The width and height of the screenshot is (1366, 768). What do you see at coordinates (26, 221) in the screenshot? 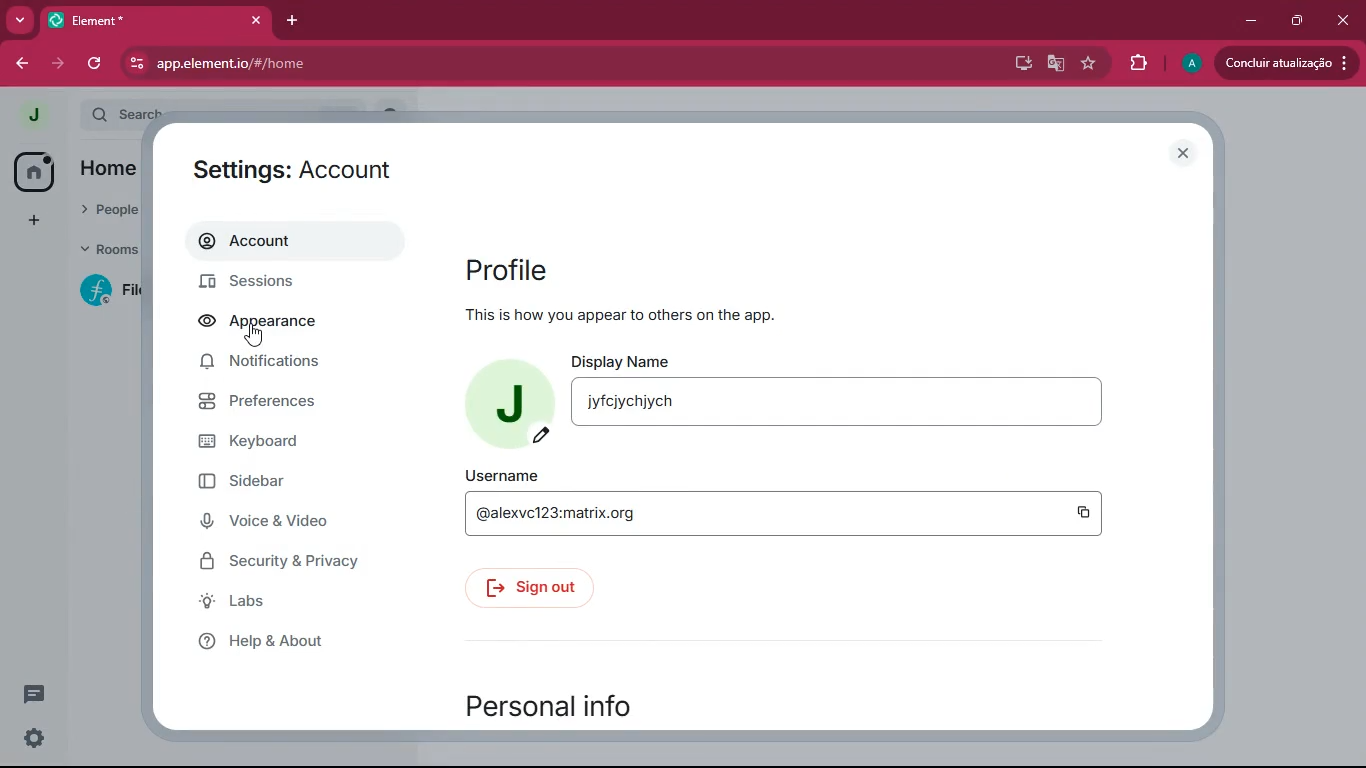
I see `add` at bounding box center [26, 221].